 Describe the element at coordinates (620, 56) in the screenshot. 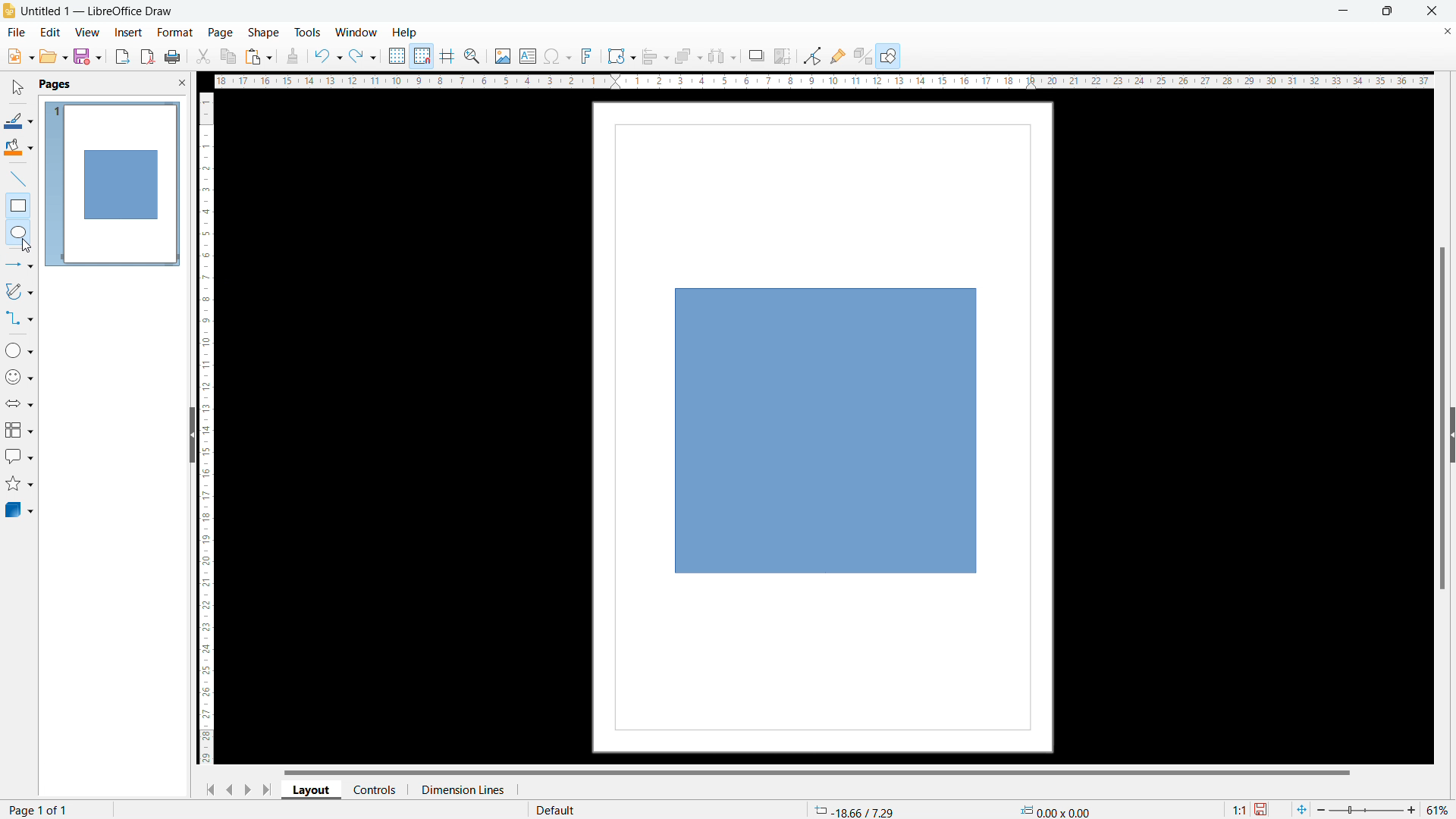

I see `transformations` at that location.